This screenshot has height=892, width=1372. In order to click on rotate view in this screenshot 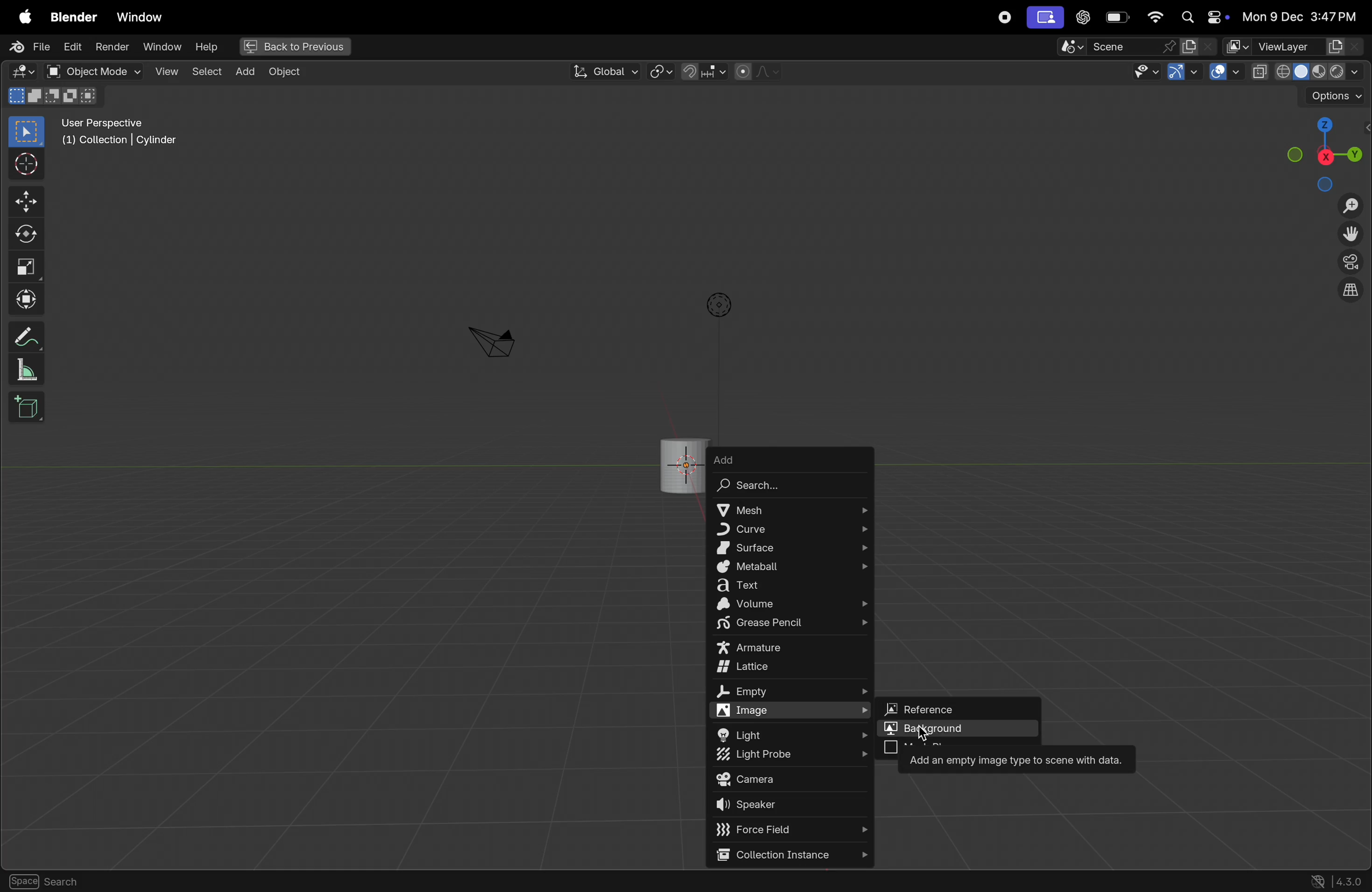, I will do `click(101, 882)`.